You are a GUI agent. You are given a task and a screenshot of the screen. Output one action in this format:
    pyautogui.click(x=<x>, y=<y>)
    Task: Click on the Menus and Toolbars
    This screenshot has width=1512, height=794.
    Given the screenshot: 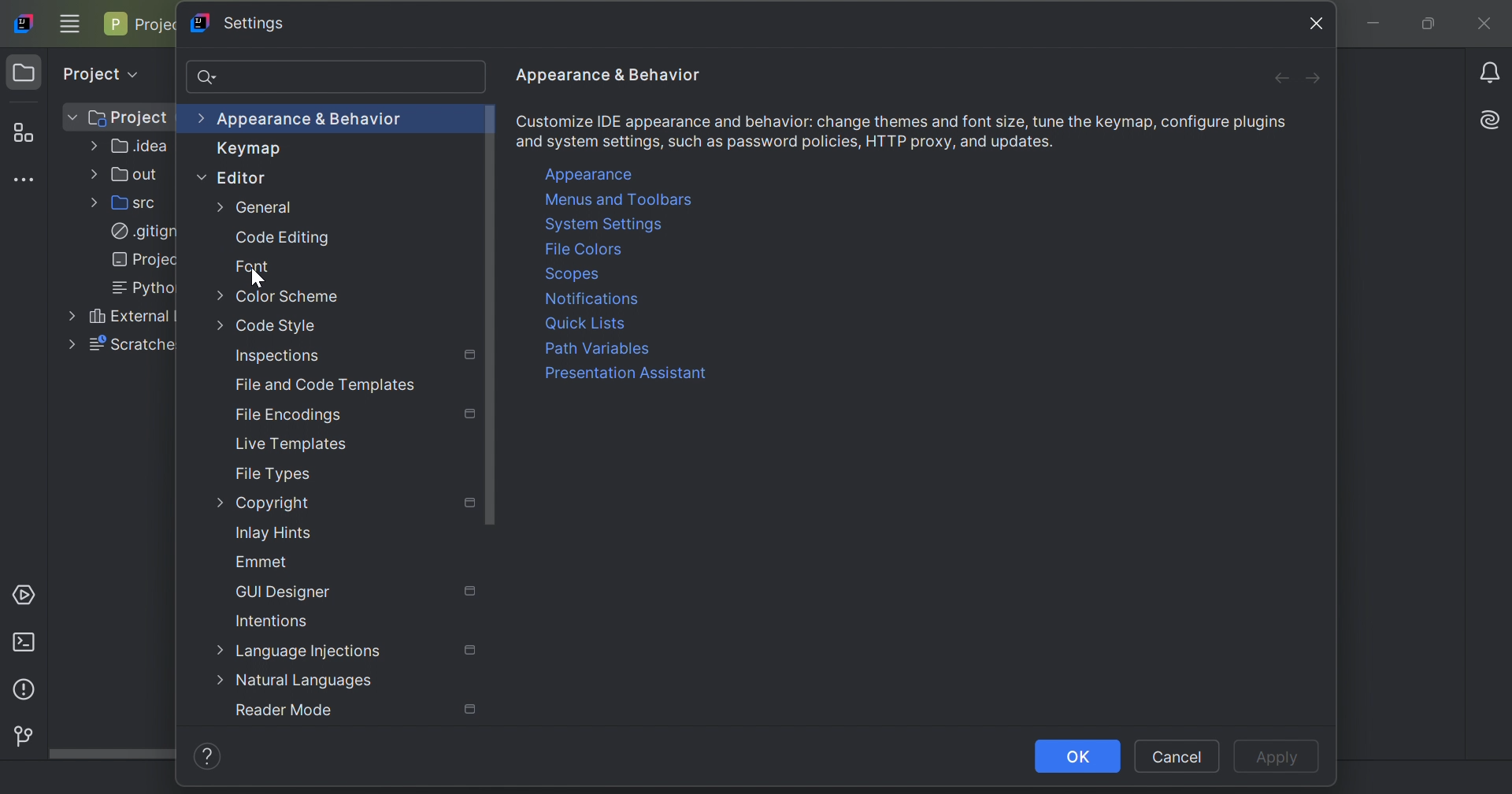 What is the action you would take?
    pyautogui.click(x=621, y=202)
    